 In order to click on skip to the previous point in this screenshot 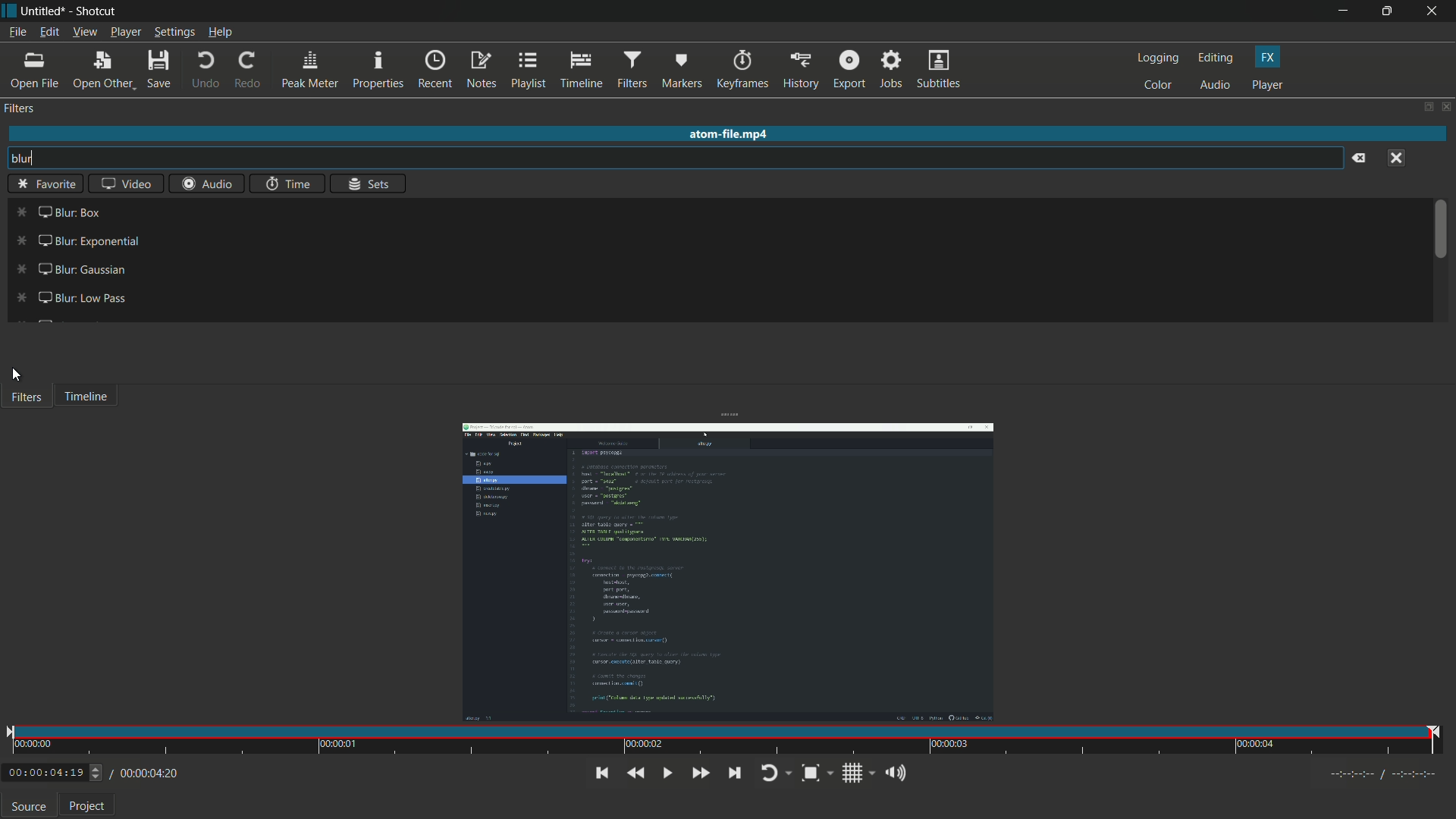, I will do `click(600, 773)`.